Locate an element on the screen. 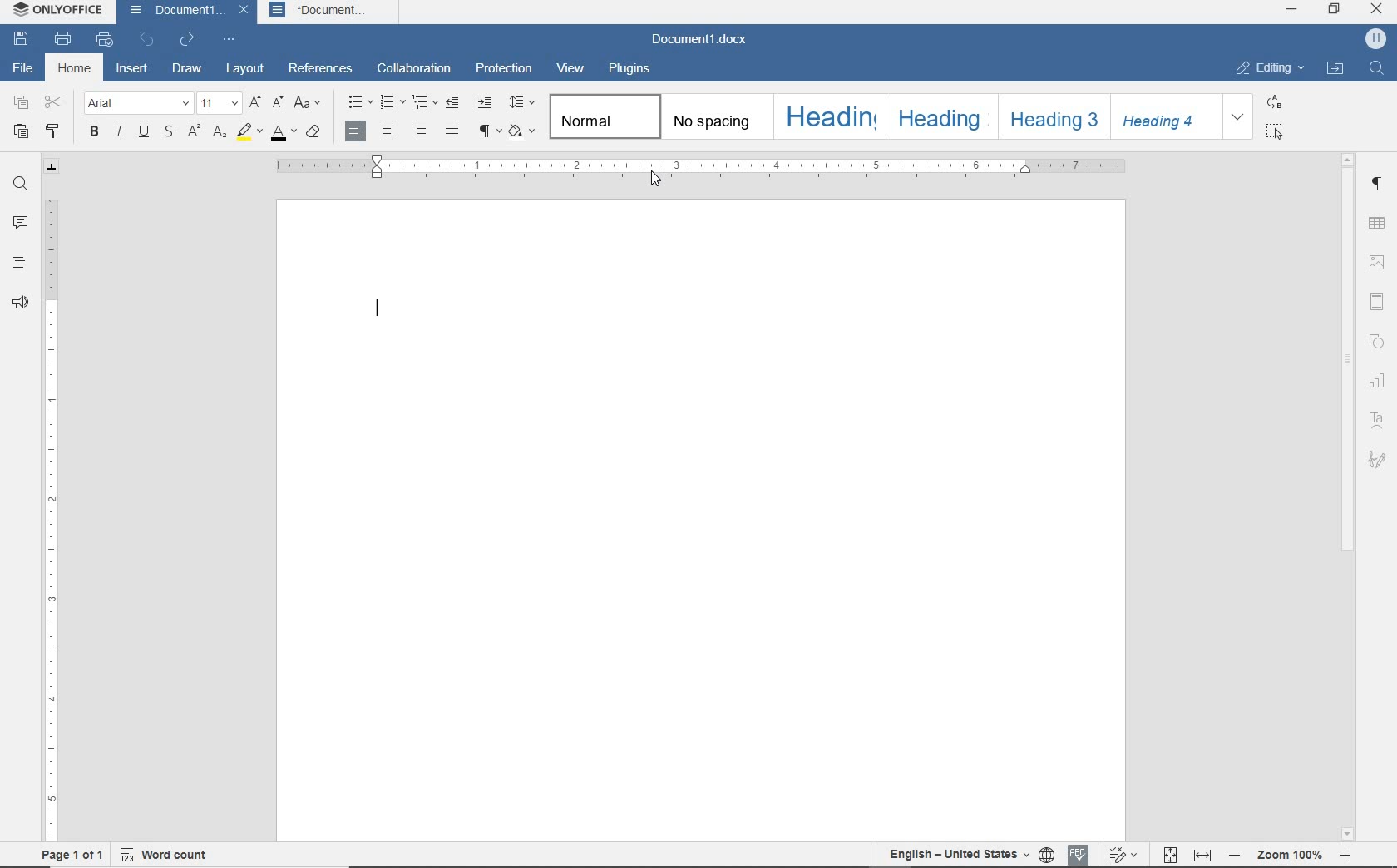 This screenshot has width=1397, height=868. HEADING 1 is located at coordinates (827, 116).